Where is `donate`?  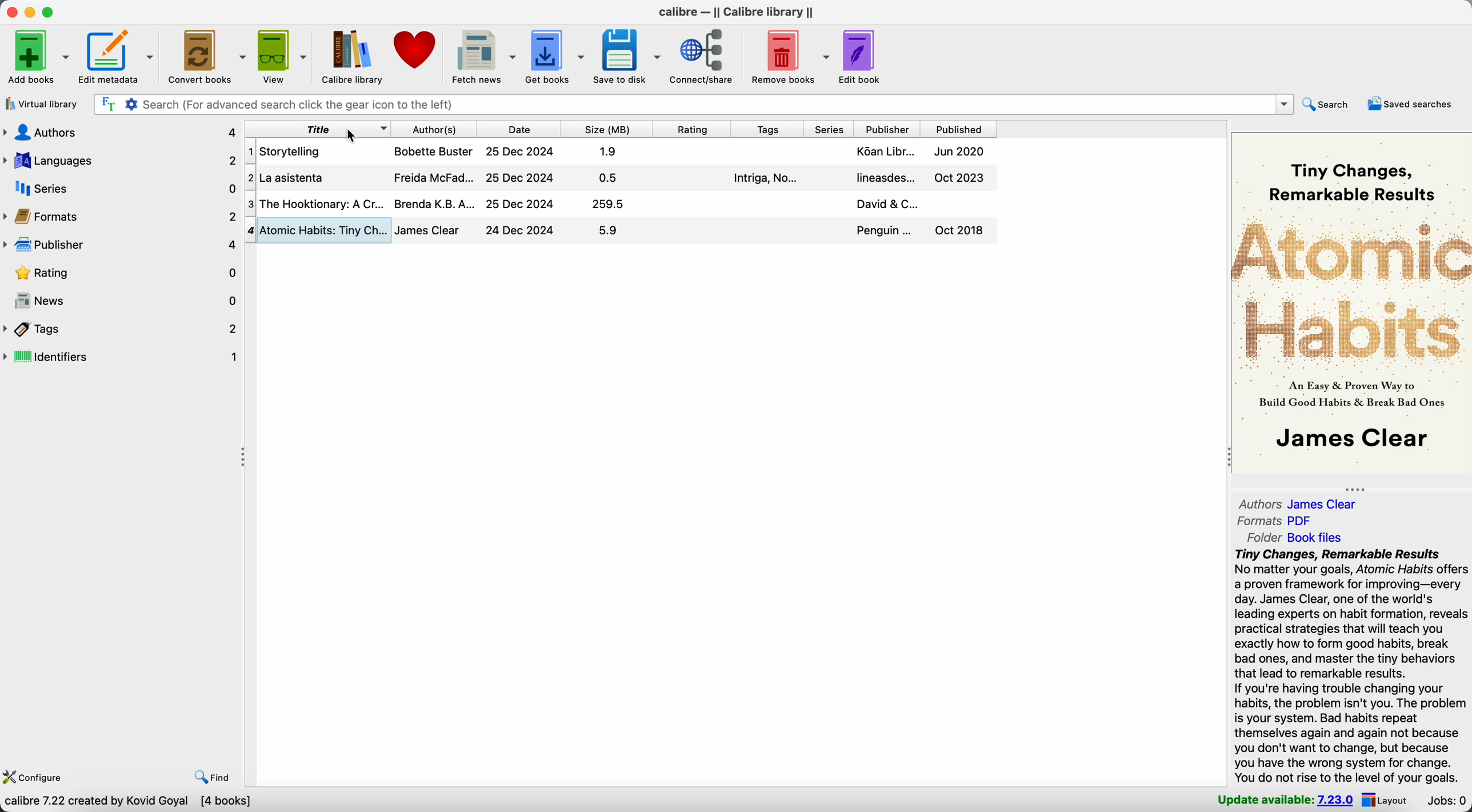 donate is located at coordinates (419, 51).